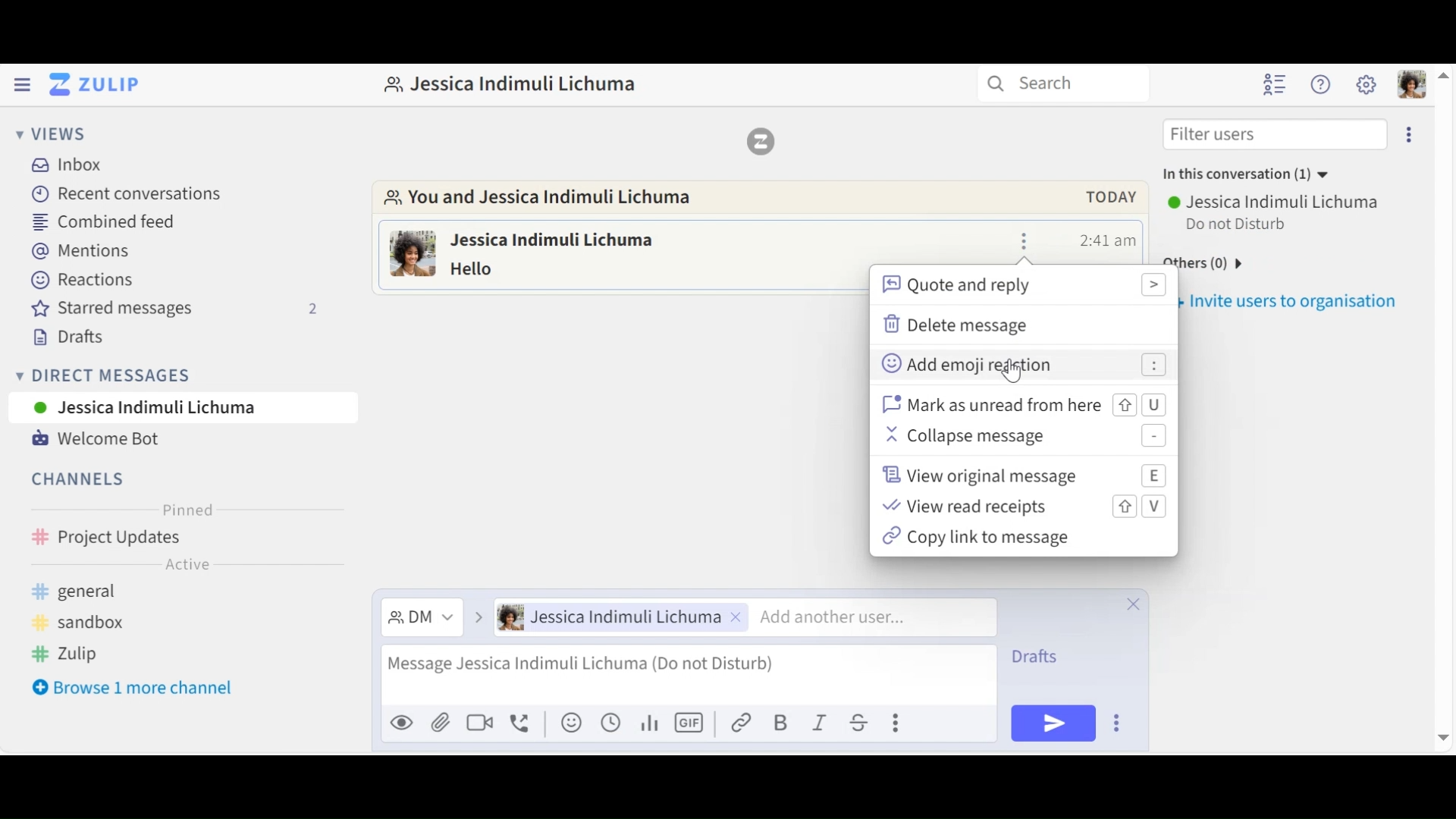  Describe the element at coordinates (186, 567) in the screenshot. I see `Active` at that location.